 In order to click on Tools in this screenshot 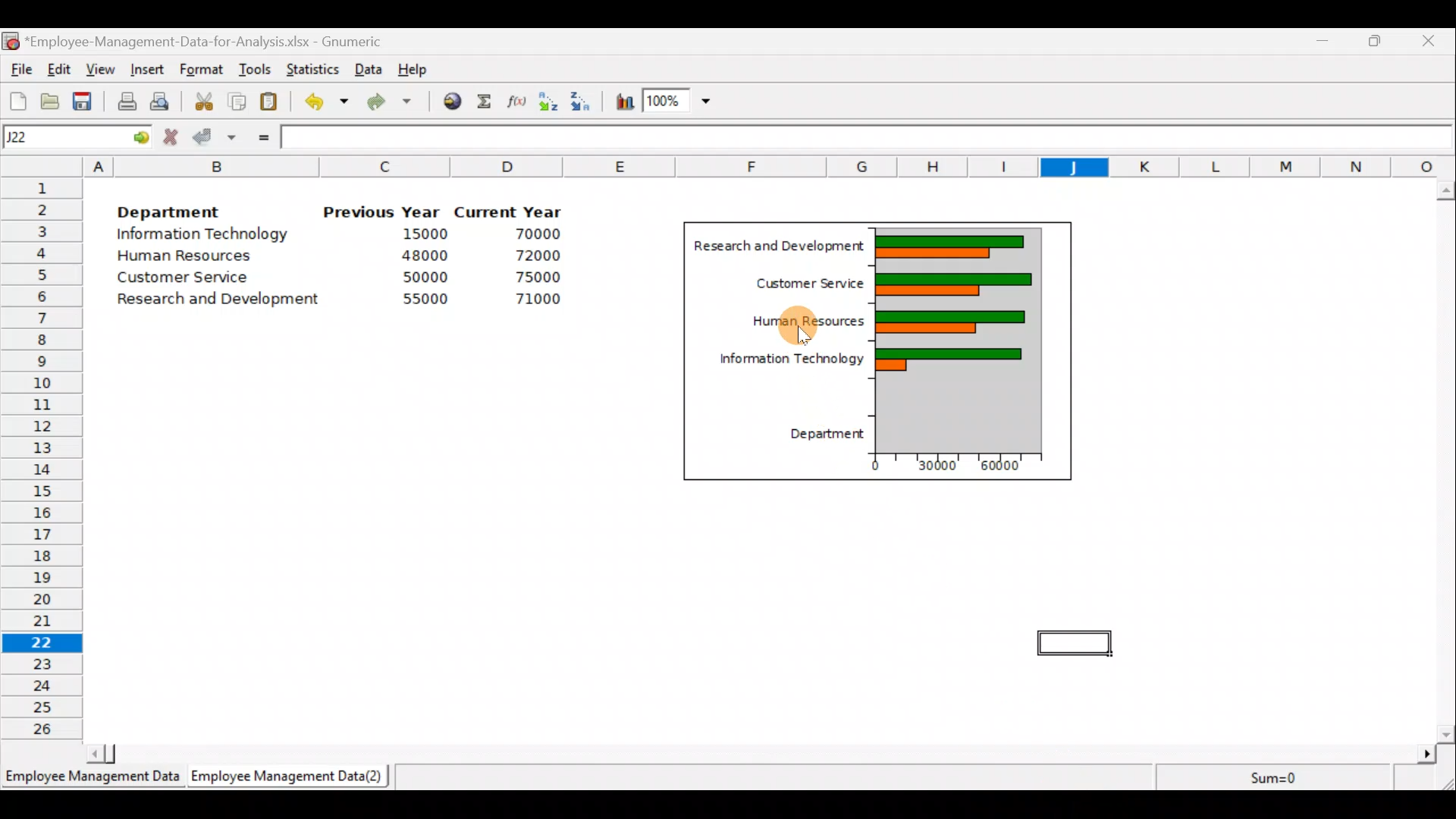, I will do `click(252, 70)`.